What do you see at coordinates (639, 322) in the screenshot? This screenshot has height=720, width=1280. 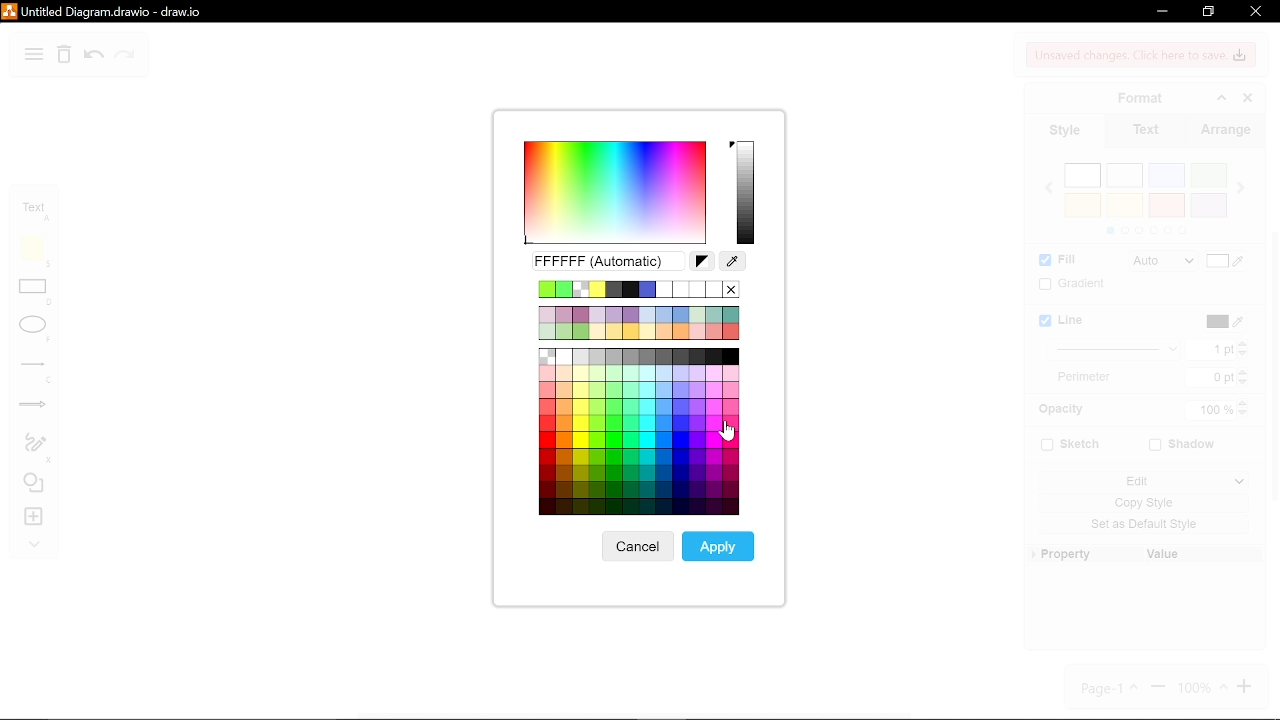 I see `recent display` at bounding box center [639, 322].